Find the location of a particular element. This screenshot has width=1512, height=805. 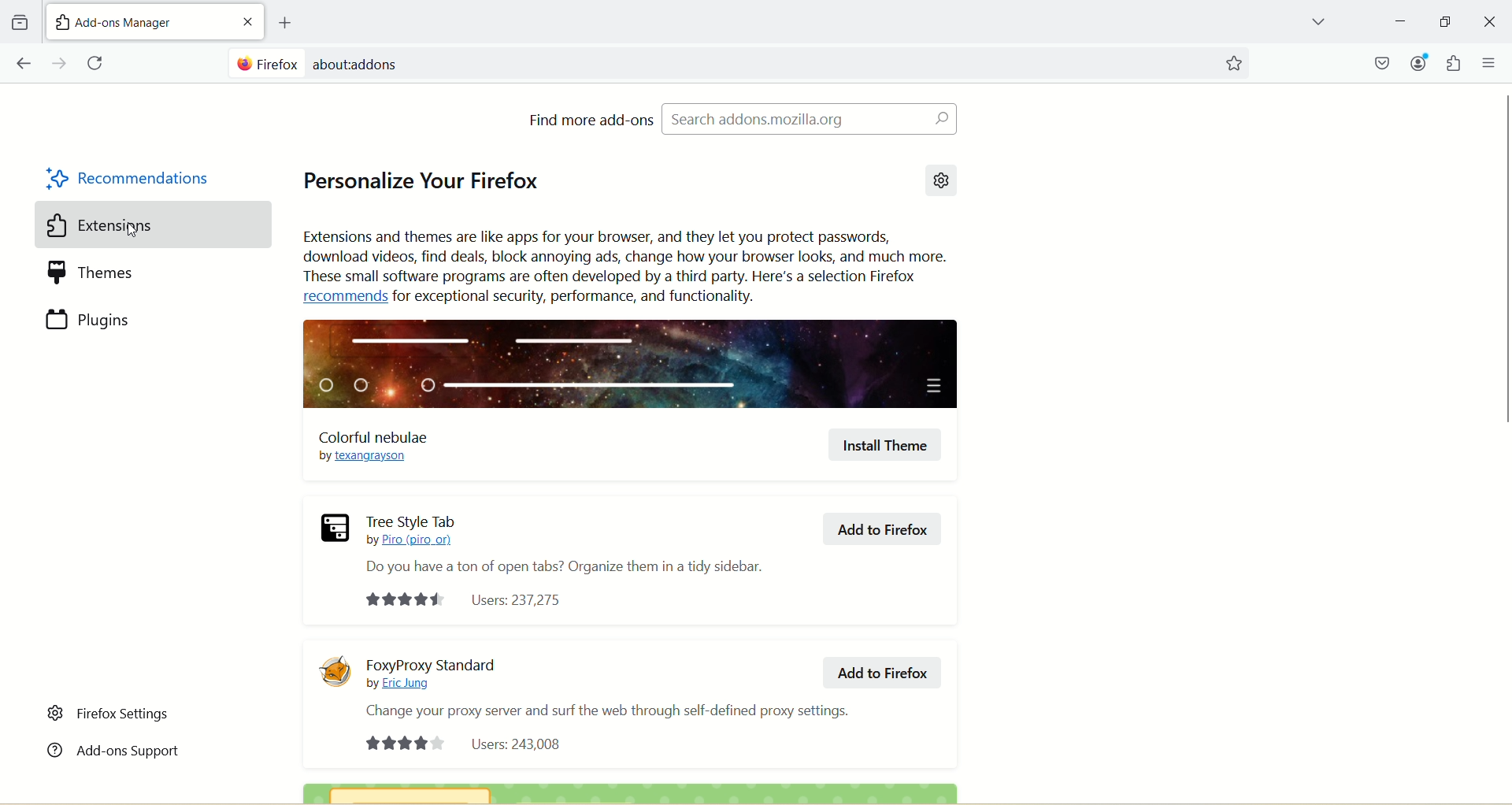

Image is located at coordinates (634, 364).